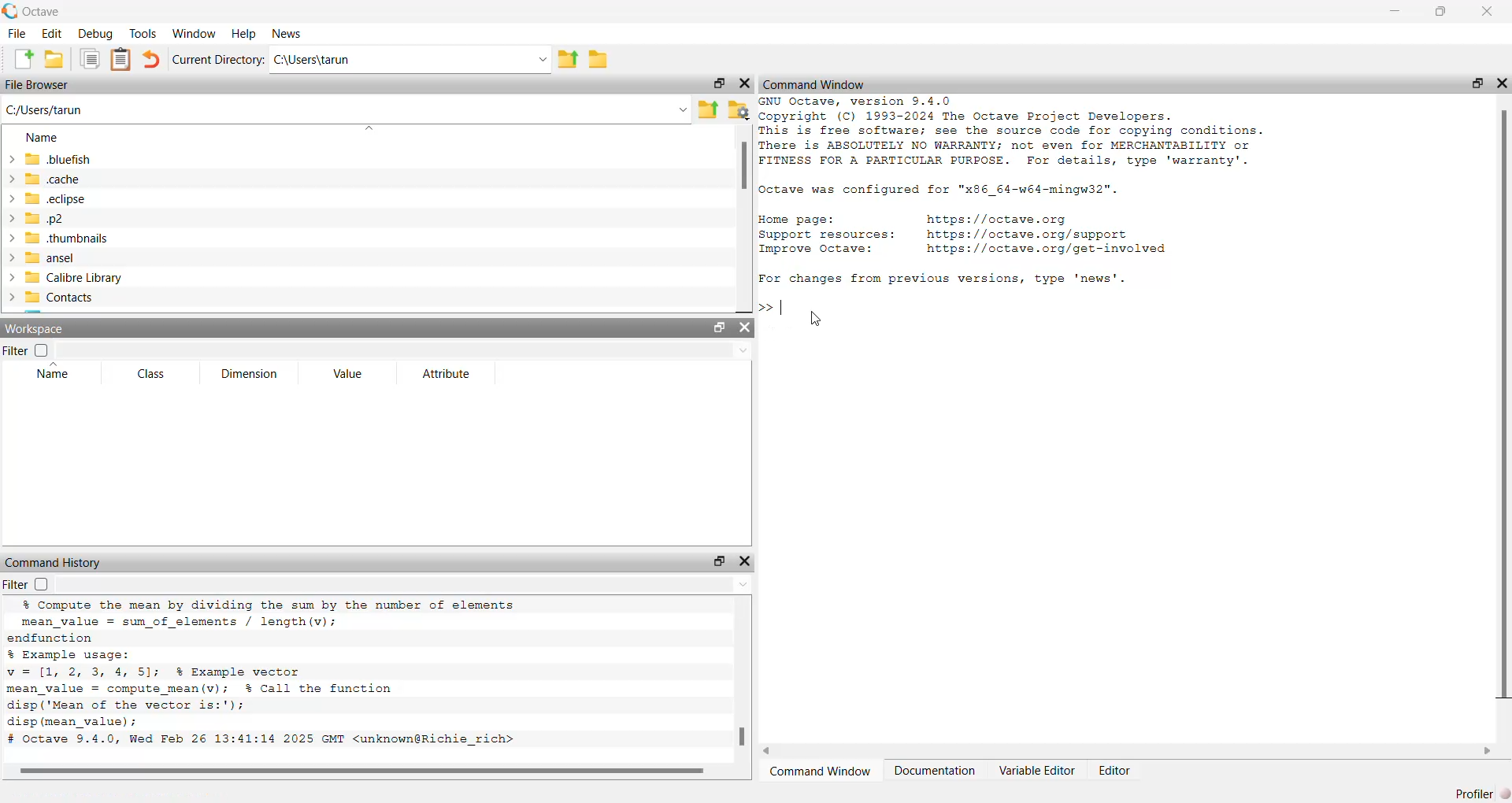  Describe the element at coordinates (765, 308) in the screenshot. I see `>>` at that location.